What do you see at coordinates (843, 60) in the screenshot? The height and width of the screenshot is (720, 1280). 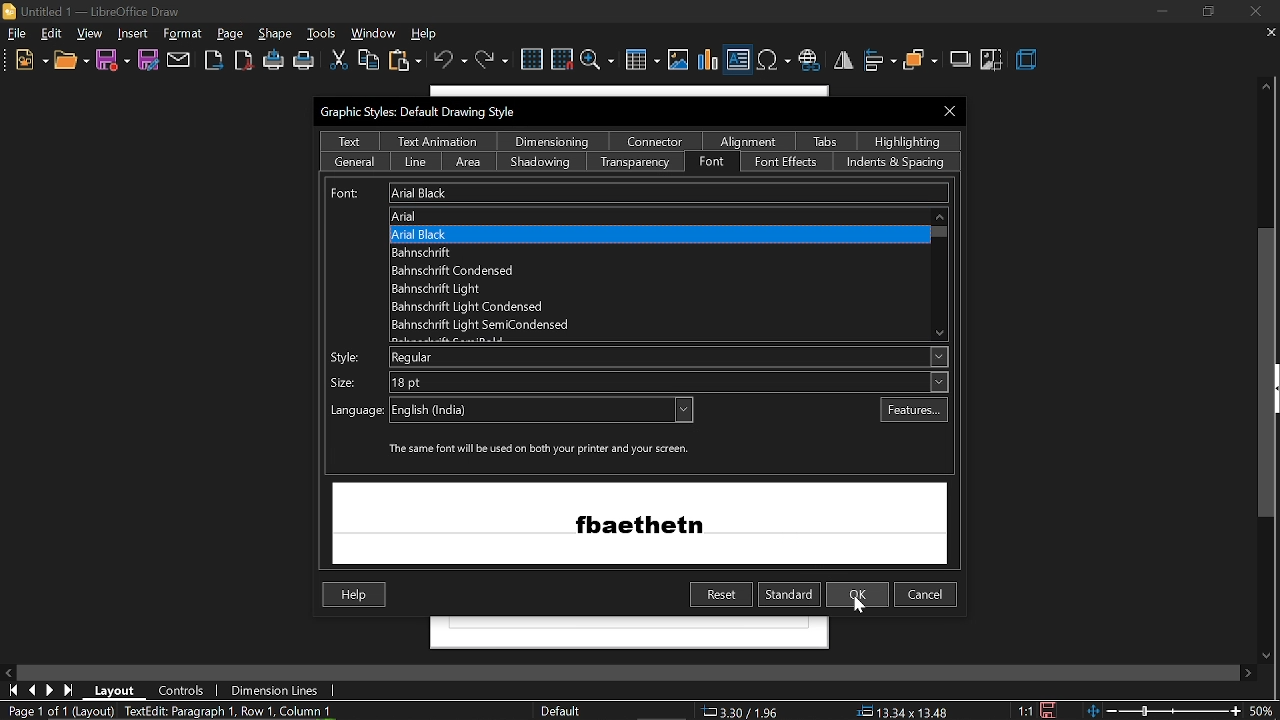 I see `flip` at bounding box center [843, 60].